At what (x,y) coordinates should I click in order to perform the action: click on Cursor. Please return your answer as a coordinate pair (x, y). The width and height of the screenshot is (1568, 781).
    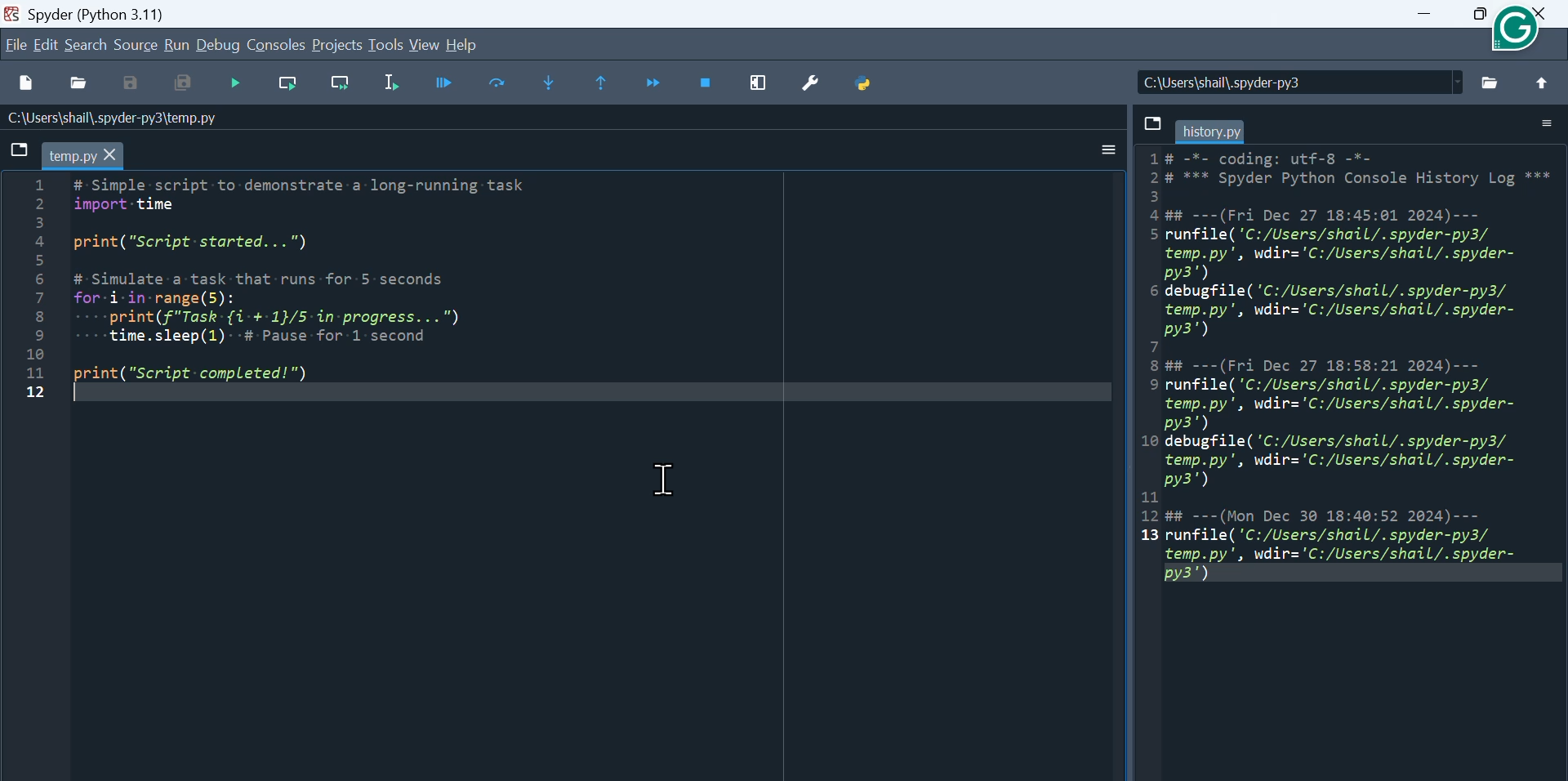
    Looking at the image, I should click on (661, 480).